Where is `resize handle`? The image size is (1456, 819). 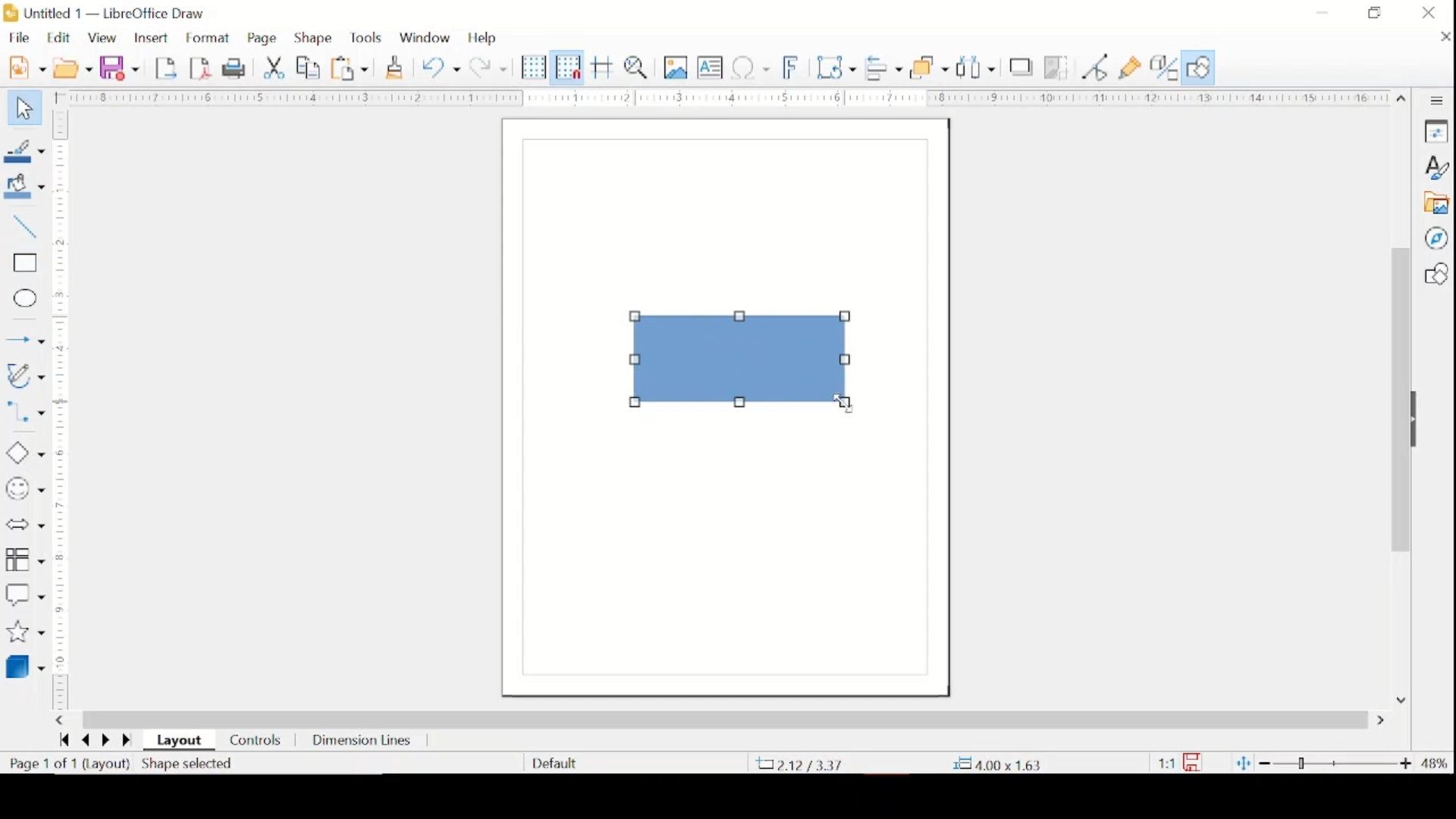 resize handle is located at coordinates (846, 404).